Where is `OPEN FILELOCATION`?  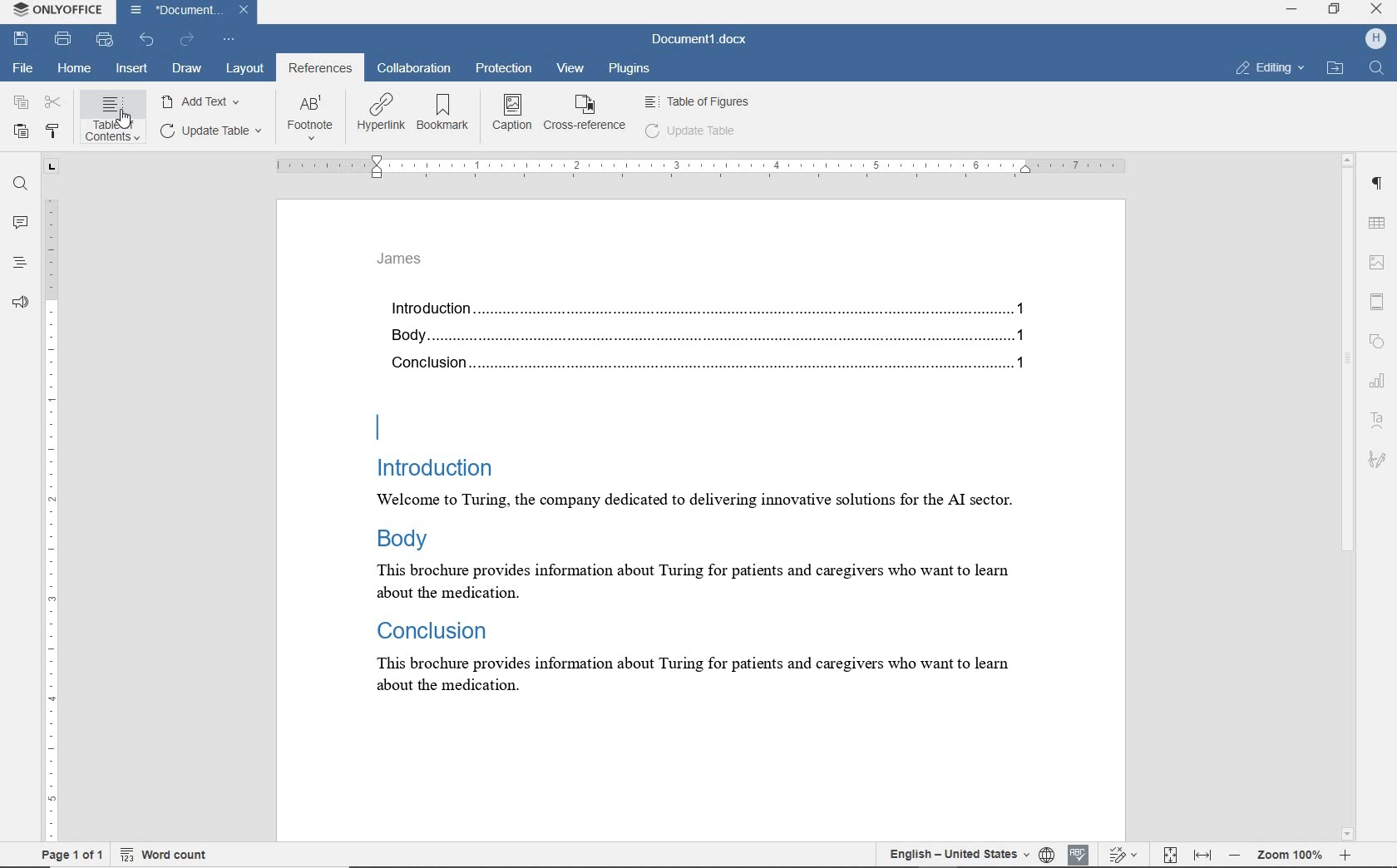
OPEN FILELOCATION is located at coordinates (1333, 69).